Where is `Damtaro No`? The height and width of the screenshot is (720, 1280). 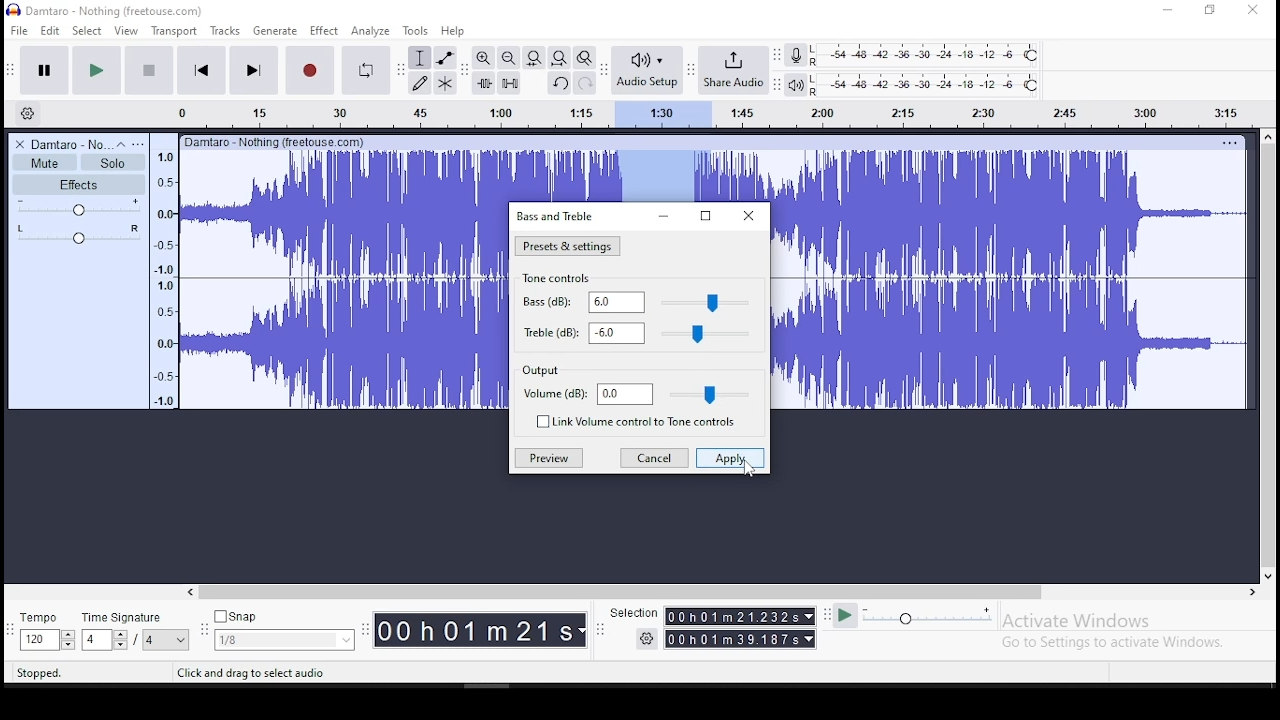
Damtaro No is located at coordinates (70, 144).